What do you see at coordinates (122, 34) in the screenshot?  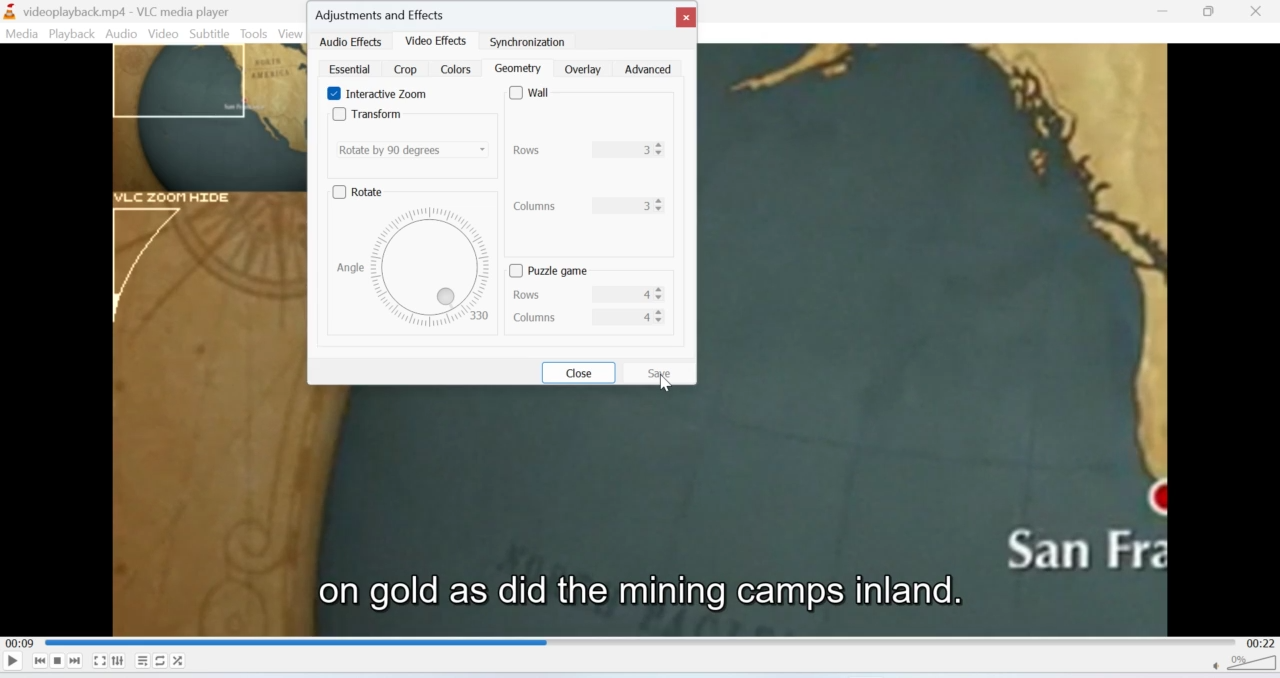 I see `Audio` at bounding box center [122, 34].